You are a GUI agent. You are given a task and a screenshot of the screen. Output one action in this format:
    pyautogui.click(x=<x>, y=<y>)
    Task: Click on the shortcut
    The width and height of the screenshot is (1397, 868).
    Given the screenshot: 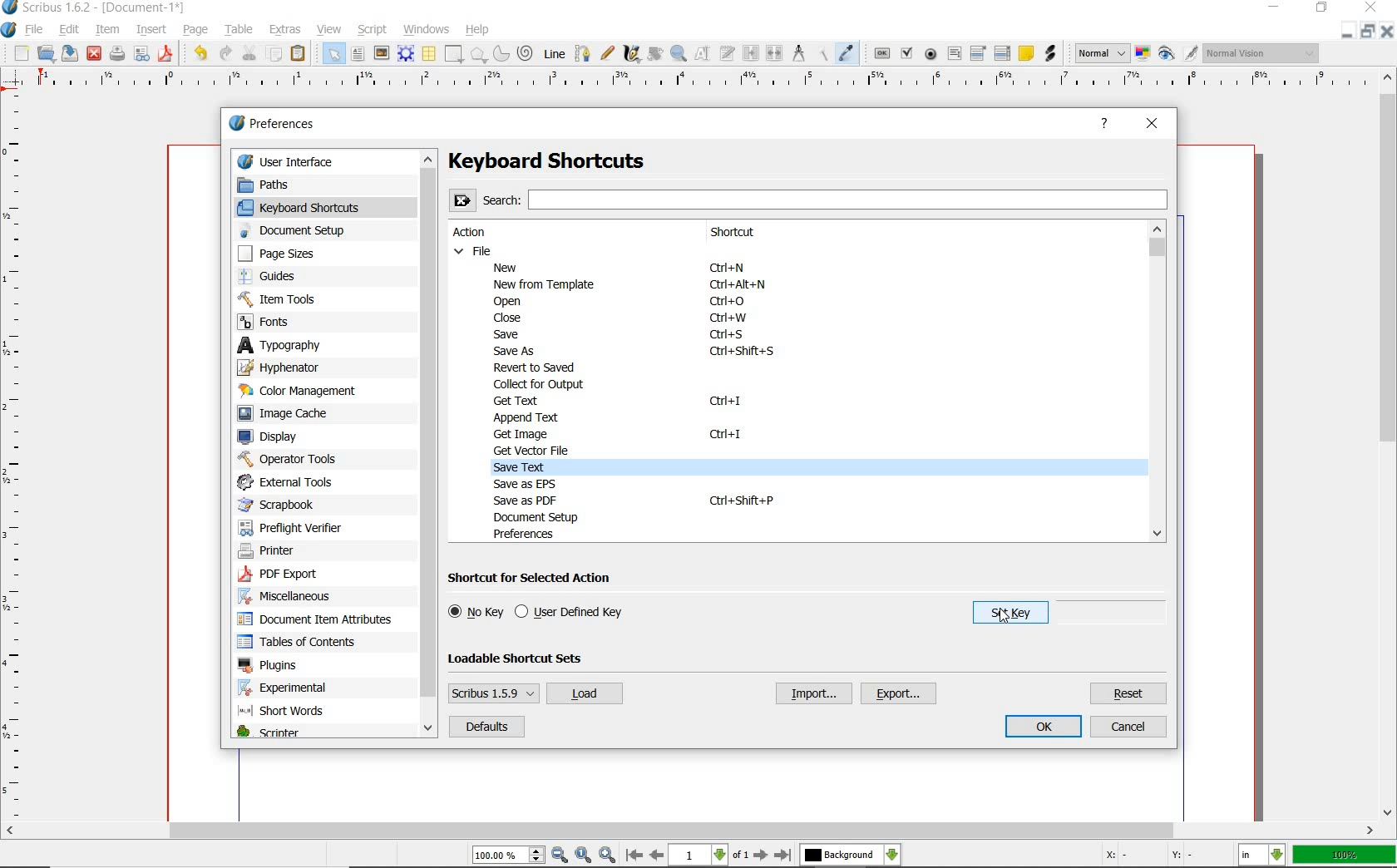 What is the action you would take?
    pyautogui.click(x=749, y=233)
    